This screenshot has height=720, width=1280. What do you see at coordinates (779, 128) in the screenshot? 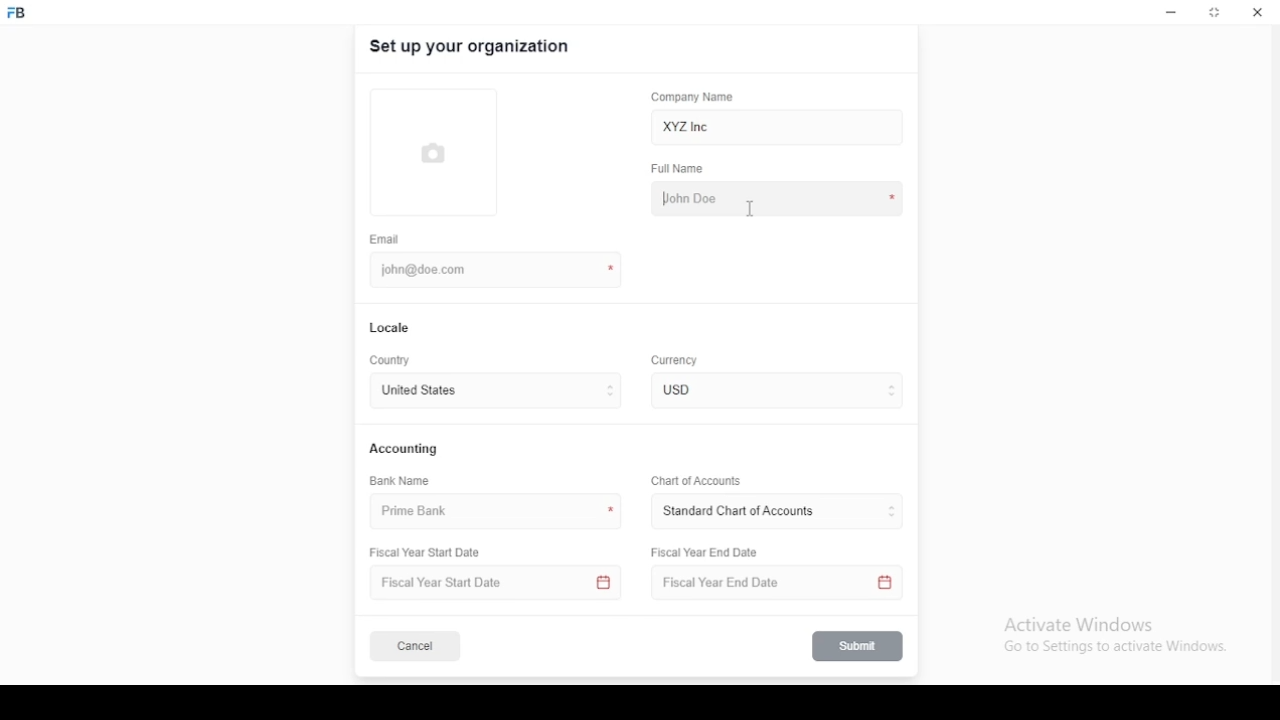
I see `XYZ Inc` at bounding box center [779, 128].